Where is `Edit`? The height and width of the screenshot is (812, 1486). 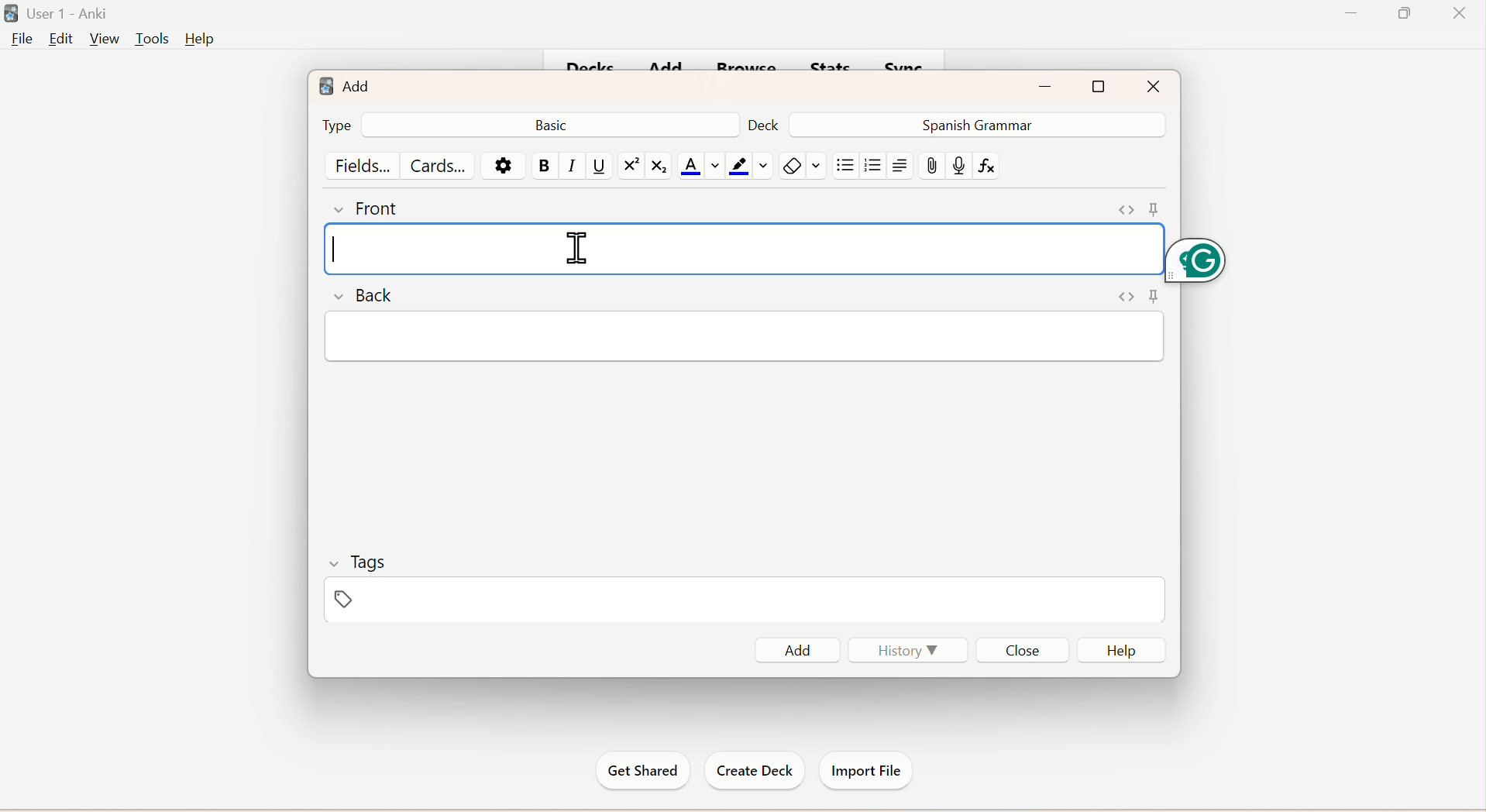 Edit is located at coordinates (60, 40).